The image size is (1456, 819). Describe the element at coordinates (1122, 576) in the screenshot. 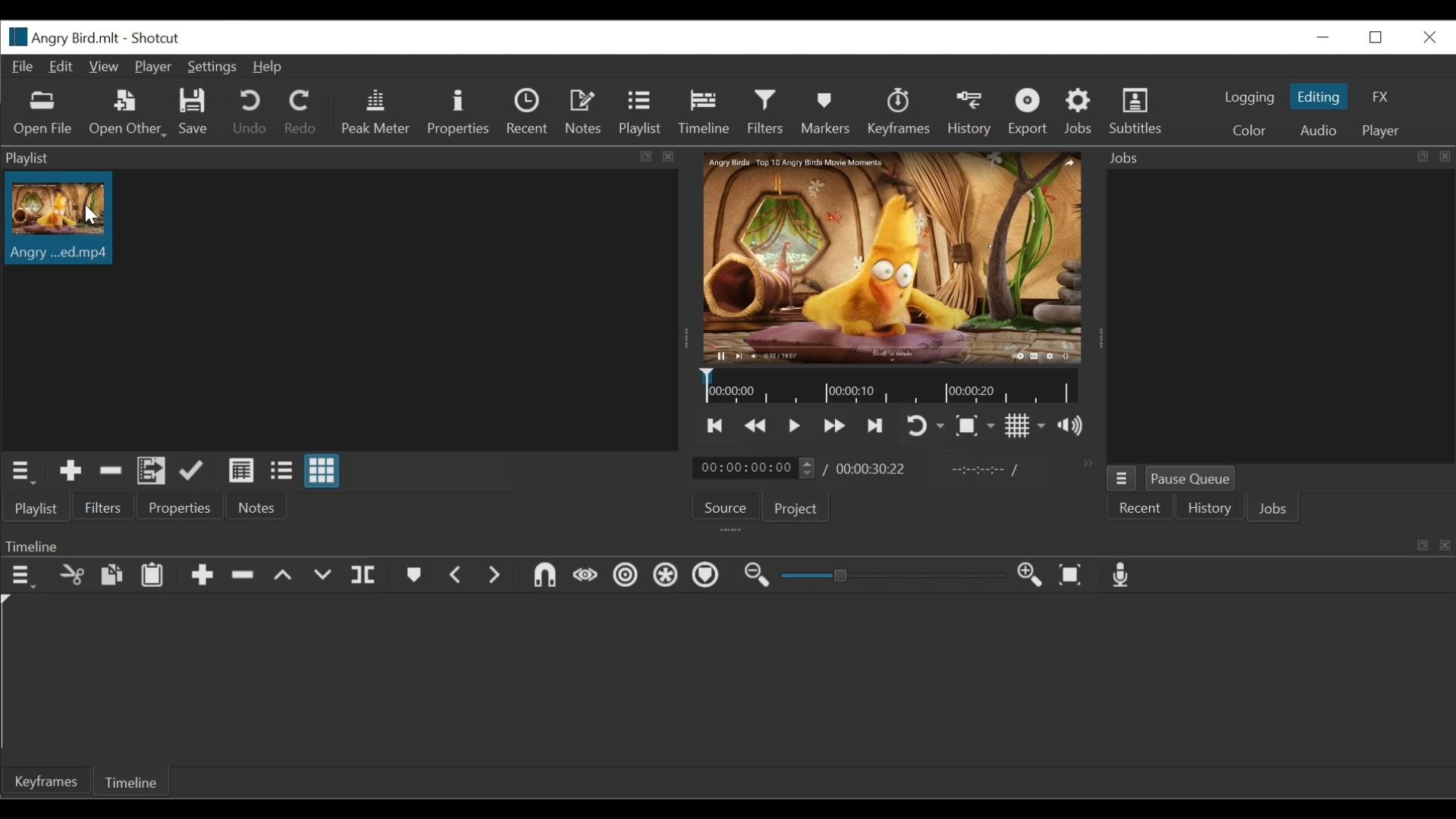

I see `Record audio` at that location.